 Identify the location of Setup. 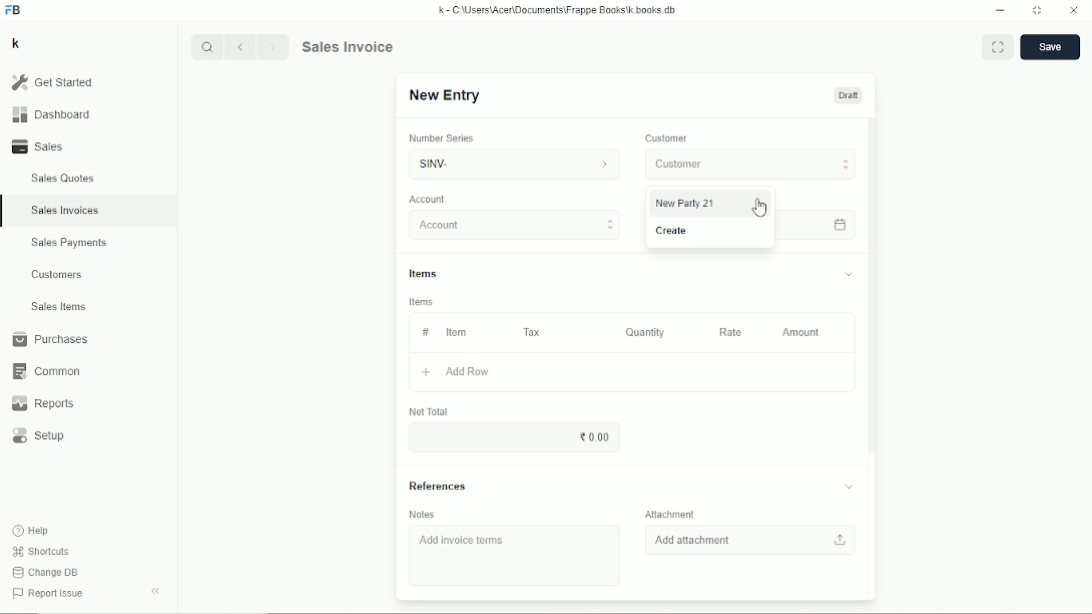
(41, 436).